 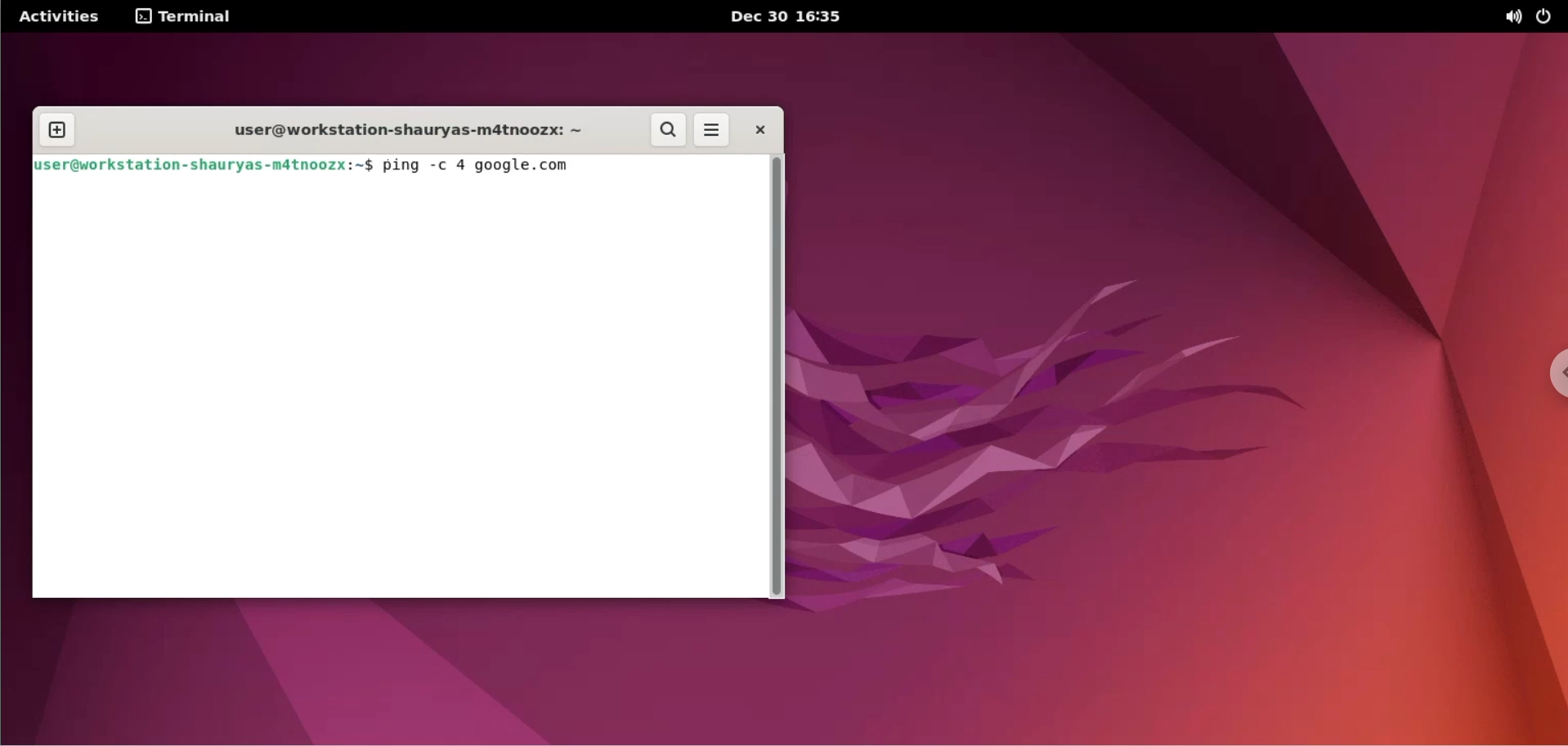 I want to click on terminal, so click(x=184, y=16).